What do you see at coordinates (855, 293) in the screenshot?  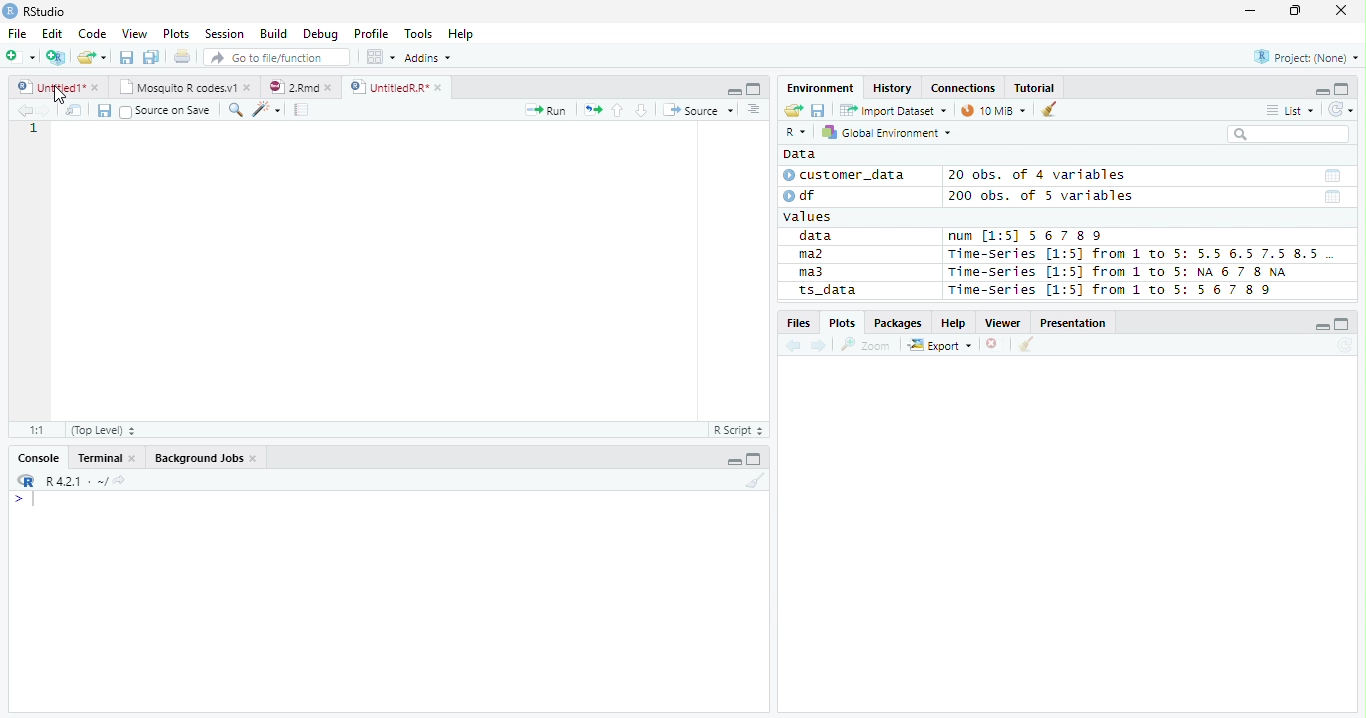 I see `ts_data` at bounding box center [855, 293].